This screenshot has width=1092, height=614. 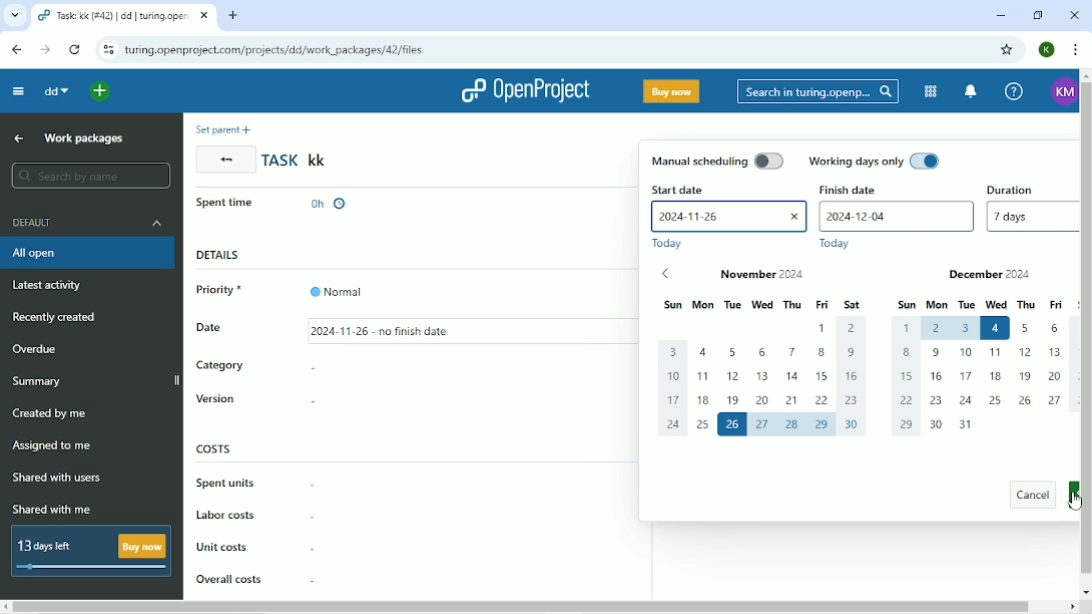 I want to click on View site information, so click(x=107, y=50).